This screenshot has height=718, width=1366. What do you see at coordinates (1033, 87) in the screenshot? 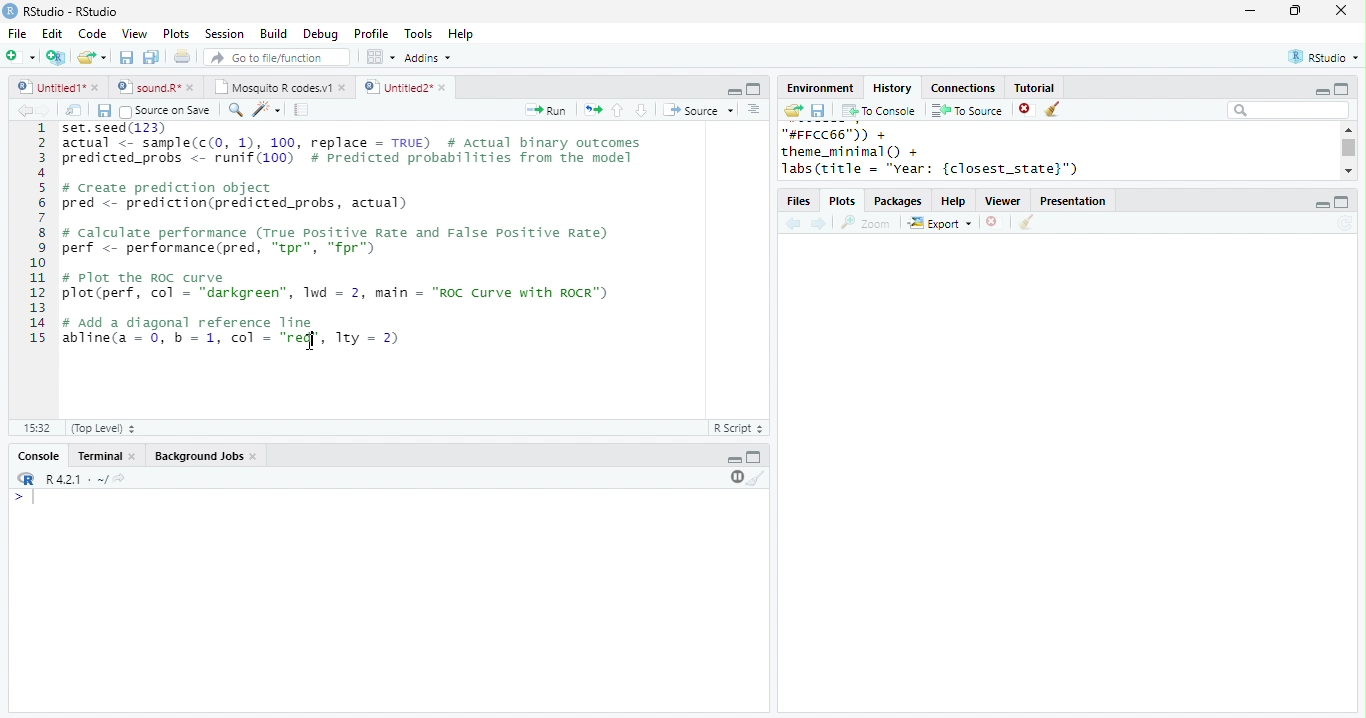
I see `Tutorial` at bounding box center [1033, 87].